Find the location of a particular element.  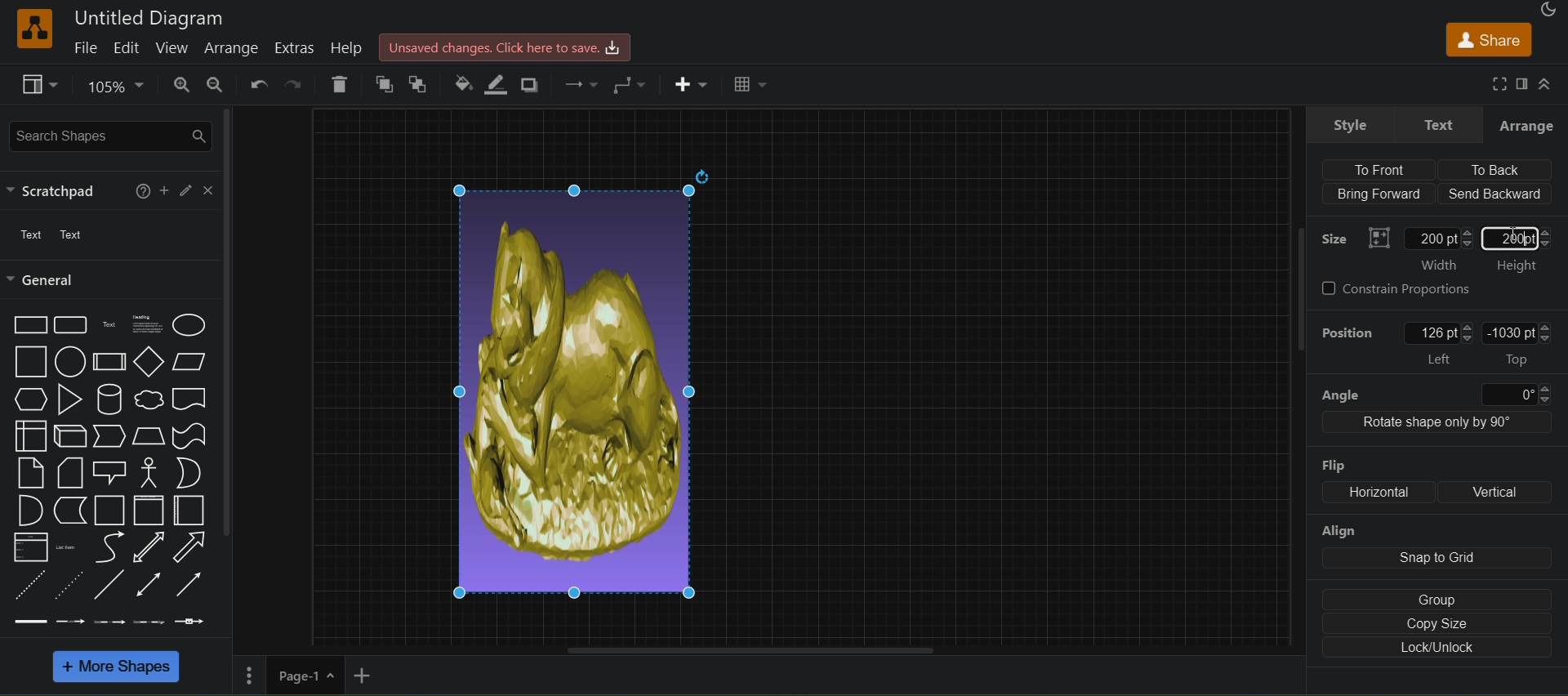

help is located at coordinates (140, 190).